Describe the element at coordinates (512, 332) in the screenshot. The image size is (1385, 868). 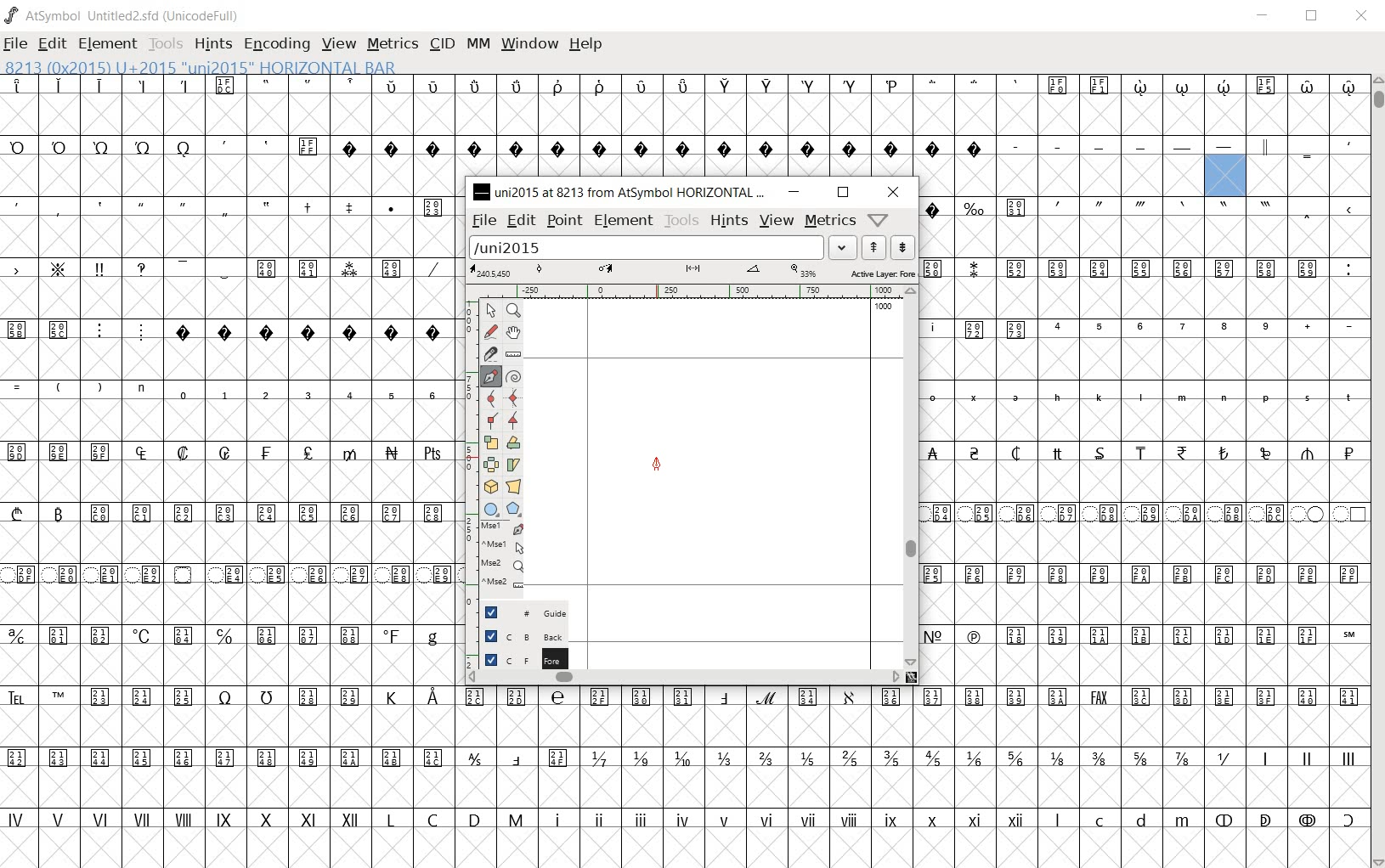
I see `scroll by hand` at that location.